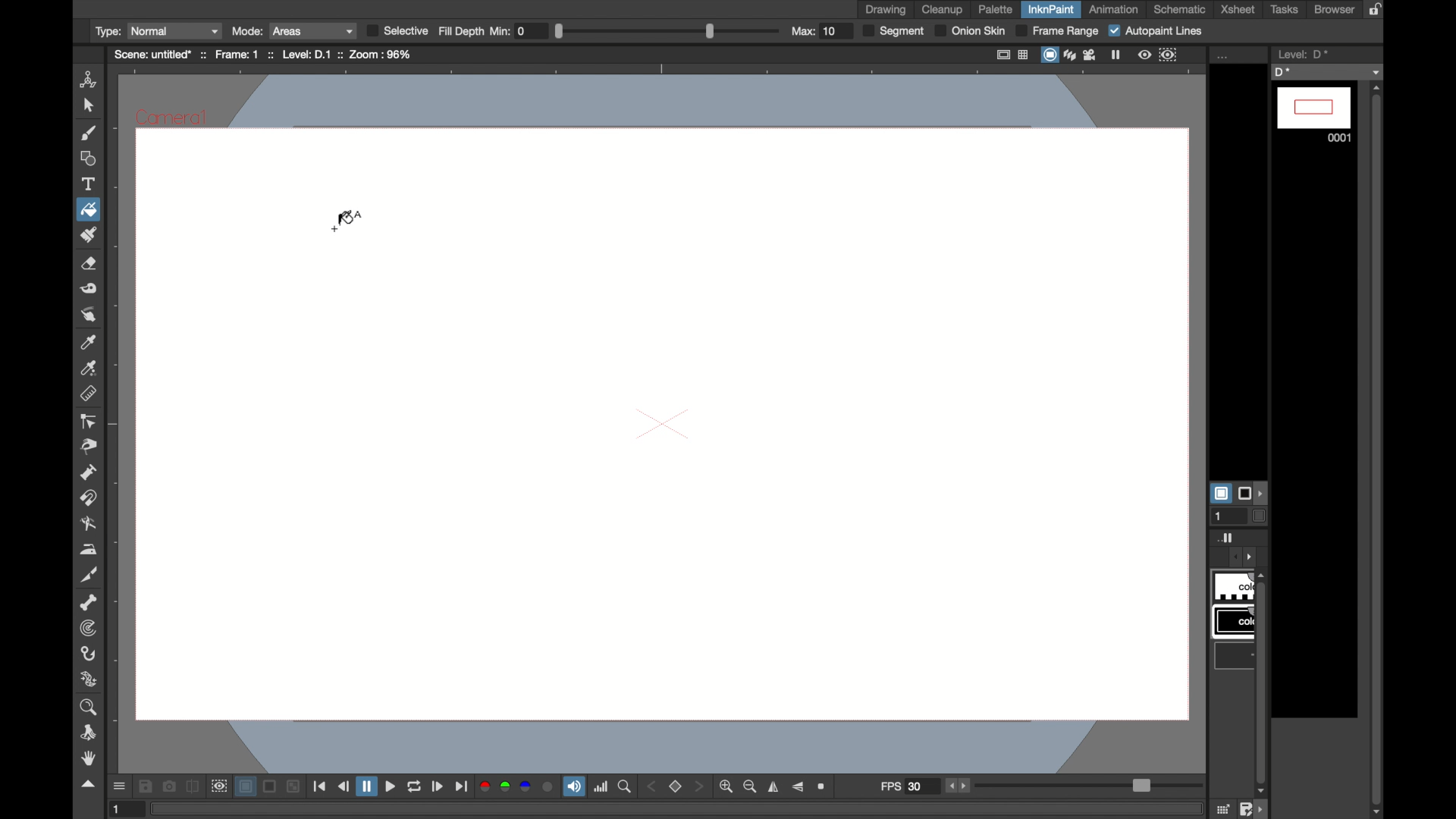  I want to click on vertical scrollbar, so click(1377, 451).